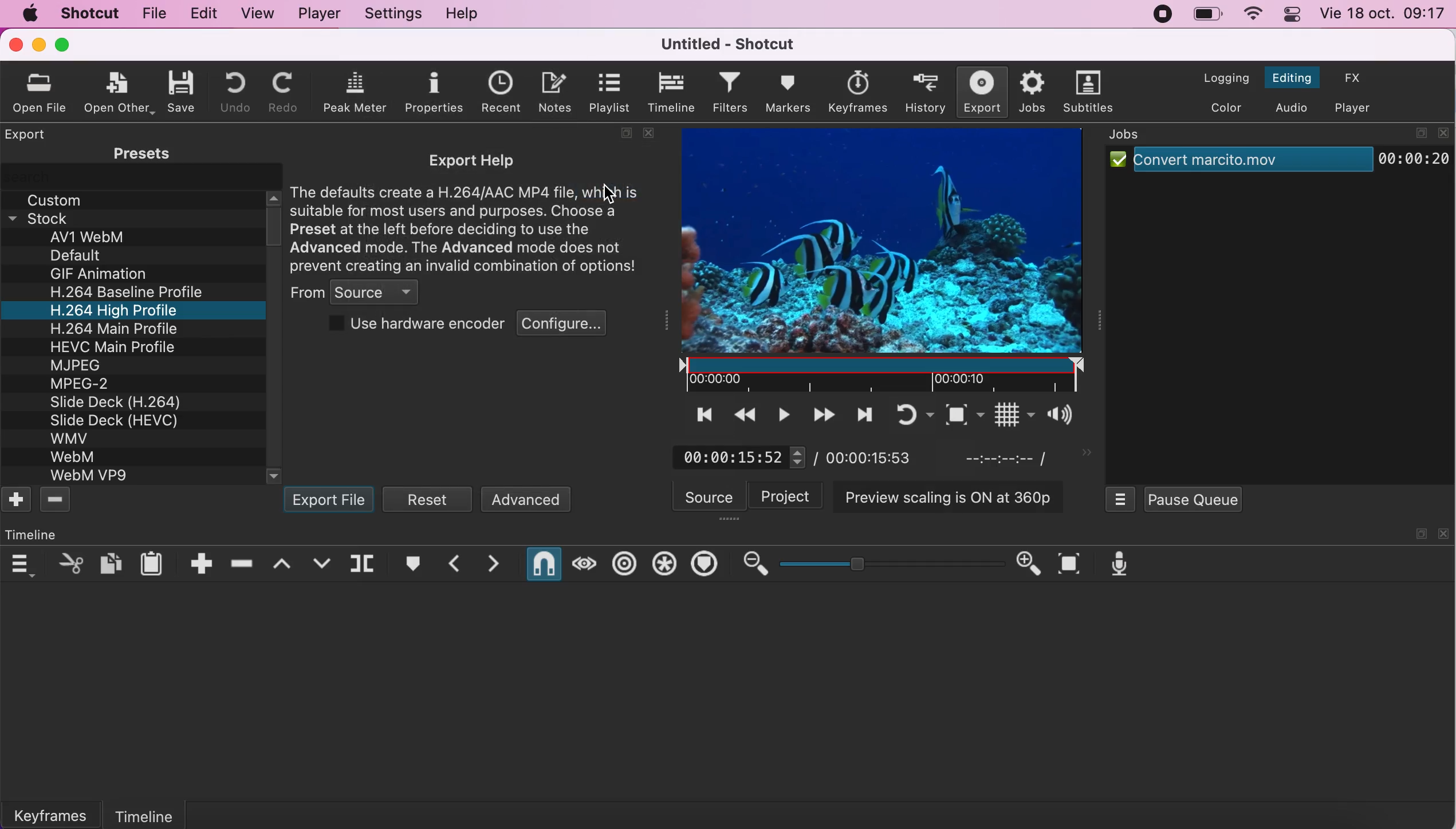 This screenshot has height=829, width=1456. What do you see at coordinates (110, 327) in the screenshot?
I see `H 264 Main Profile` at bounding box center [110, 327].